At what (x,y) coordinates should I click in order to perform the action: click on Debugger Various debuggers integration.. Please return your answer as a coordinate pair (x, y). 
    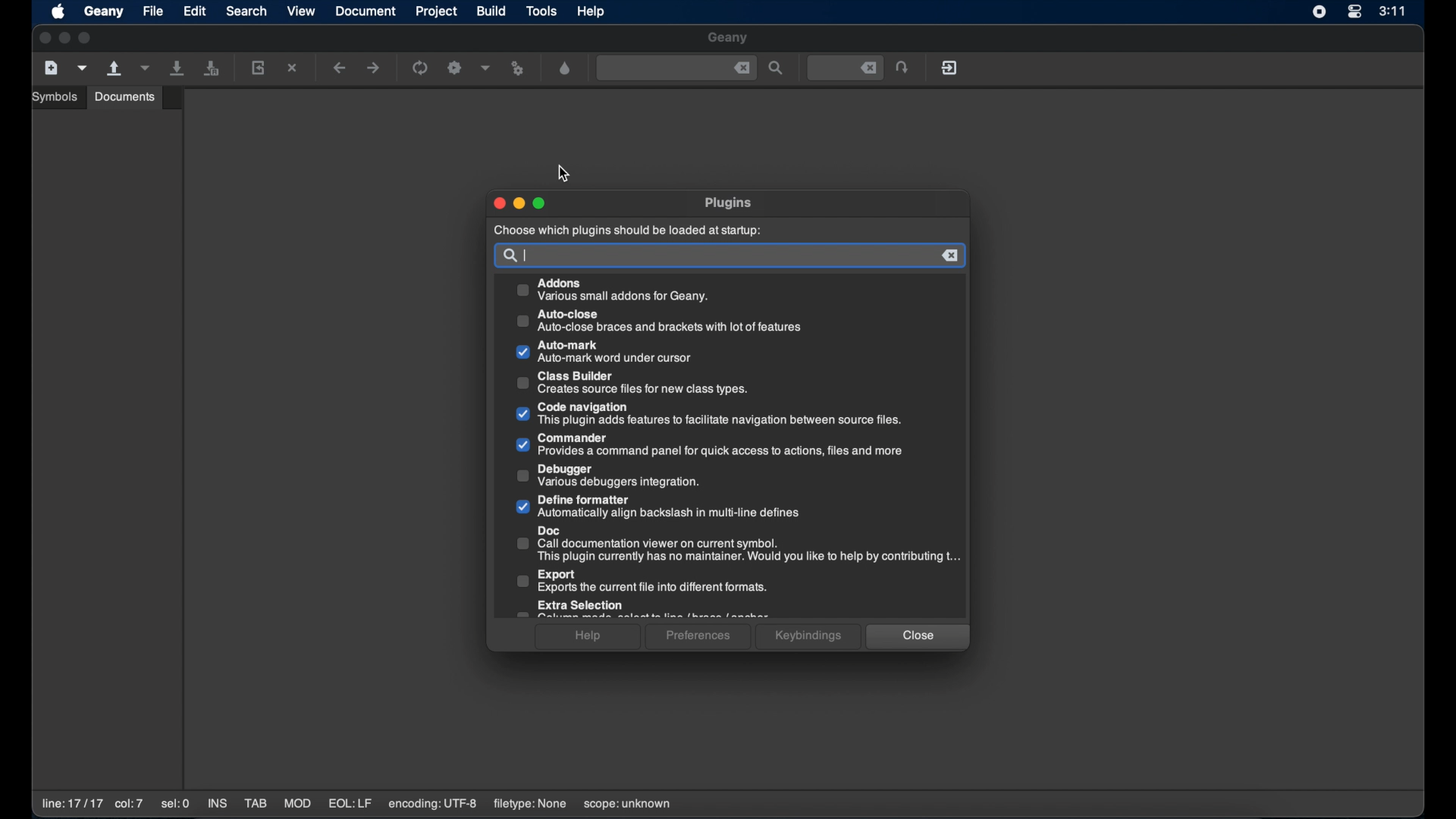
    Looking at the image, I should click on (614, 475).